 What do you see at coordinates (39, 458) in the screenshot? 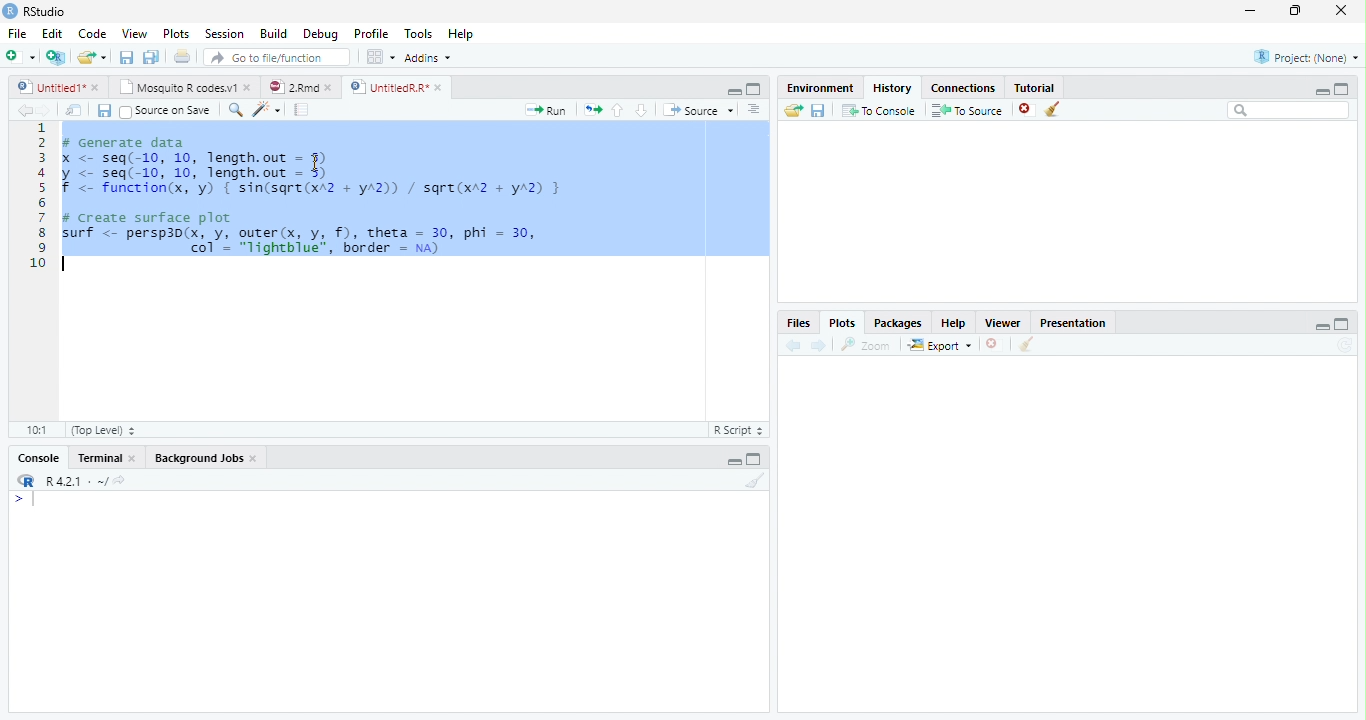
I see `Console` at bounding box center [39, 458].